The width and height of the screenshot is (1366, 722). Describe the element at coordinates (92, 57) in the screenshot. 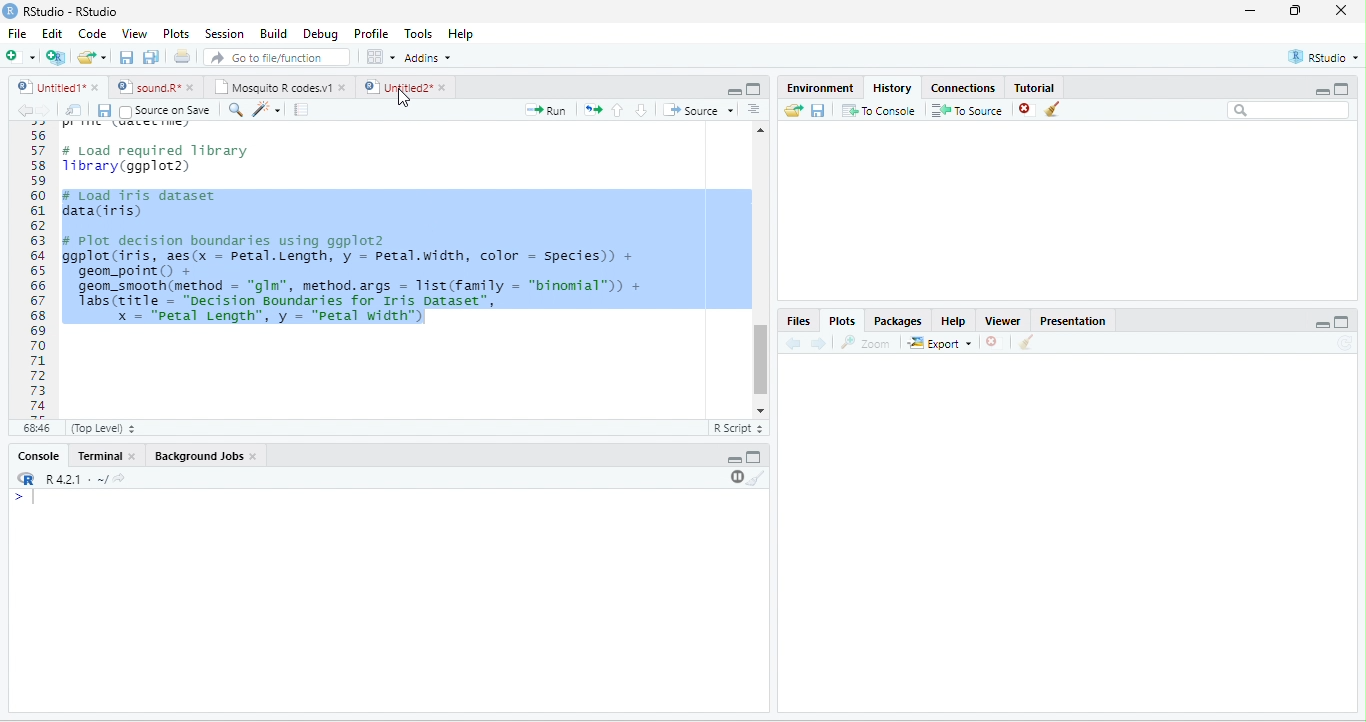

I see `open file` at that location.